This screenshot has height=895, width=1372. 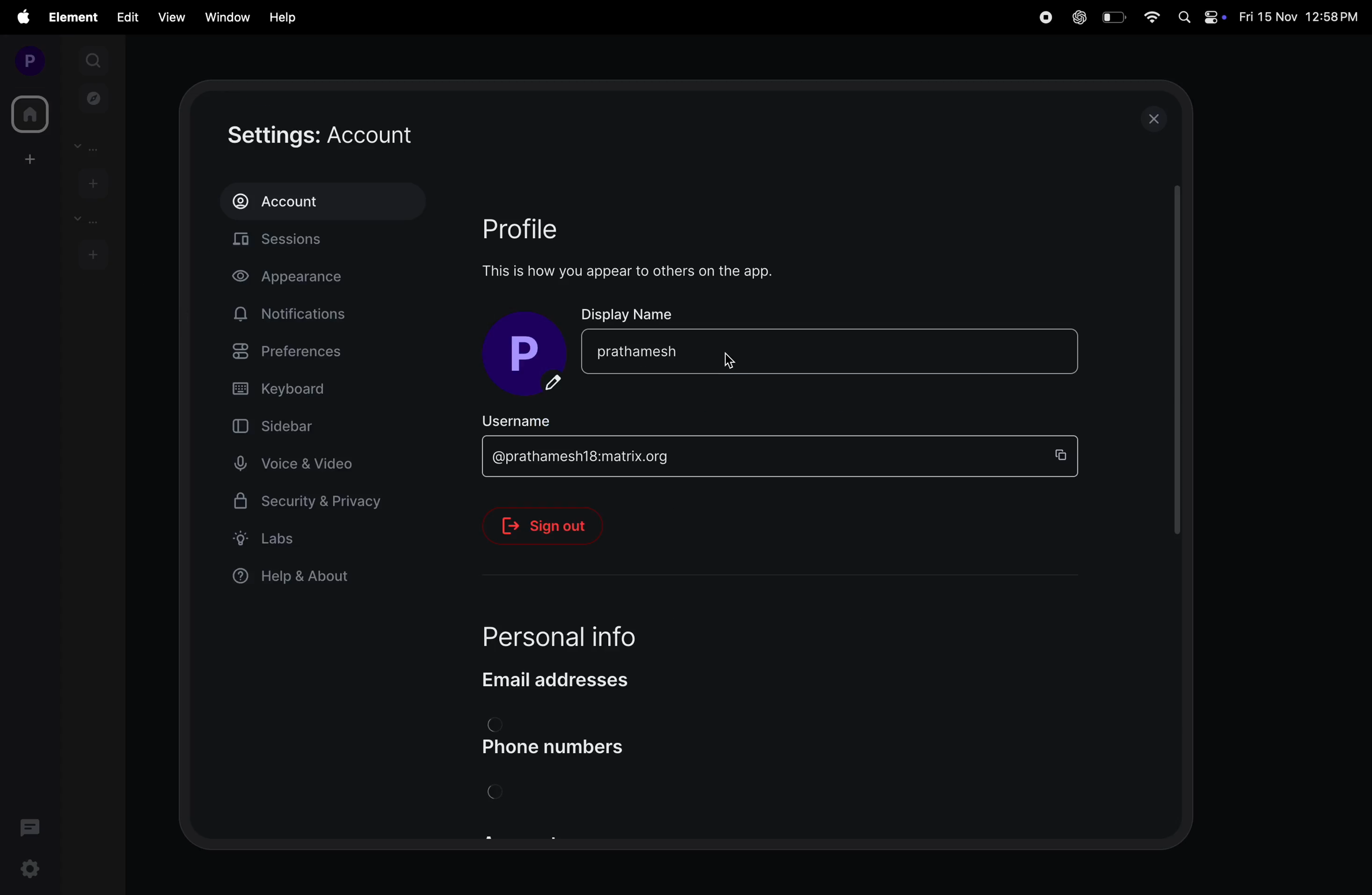 What do you see at coordinates (22, 17) in the screenshot?
I see `apple menu` at bounding box center [22, 17].